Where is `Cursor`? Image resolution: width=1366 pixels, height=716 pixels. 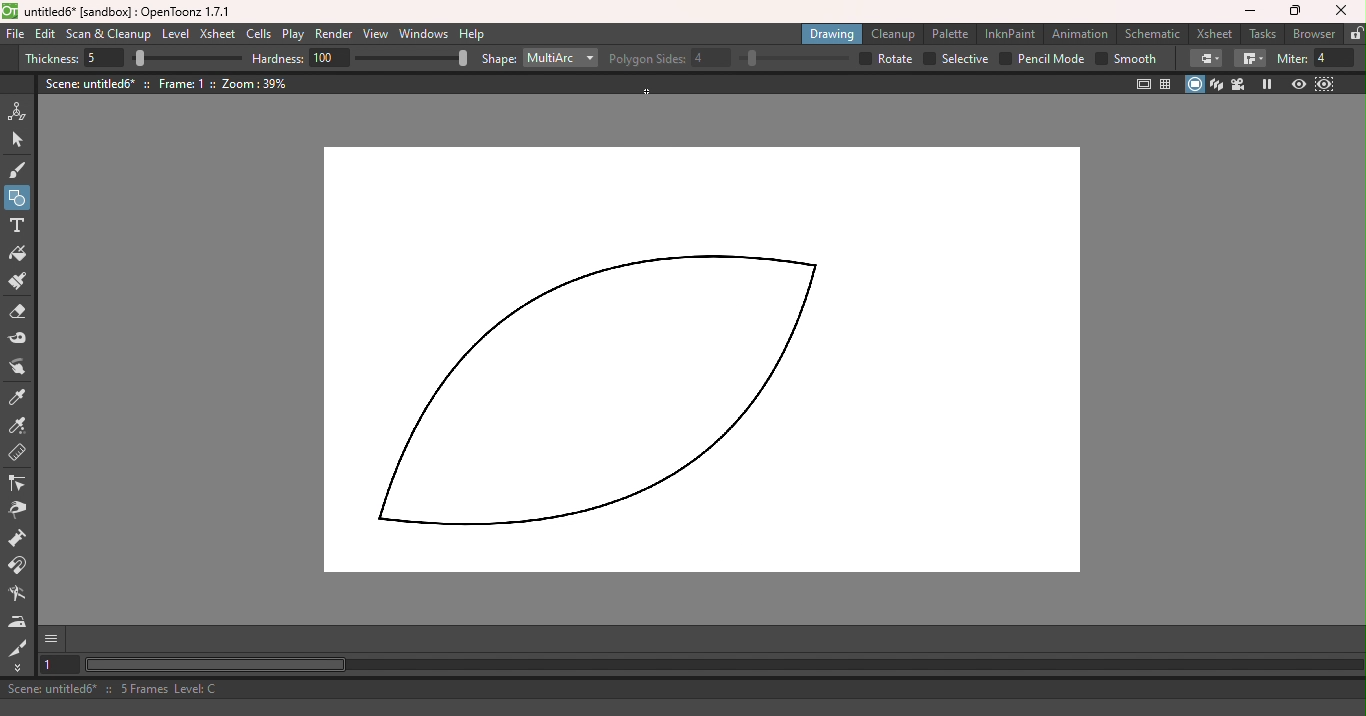
Cursor is located at coordinates (647, 91).